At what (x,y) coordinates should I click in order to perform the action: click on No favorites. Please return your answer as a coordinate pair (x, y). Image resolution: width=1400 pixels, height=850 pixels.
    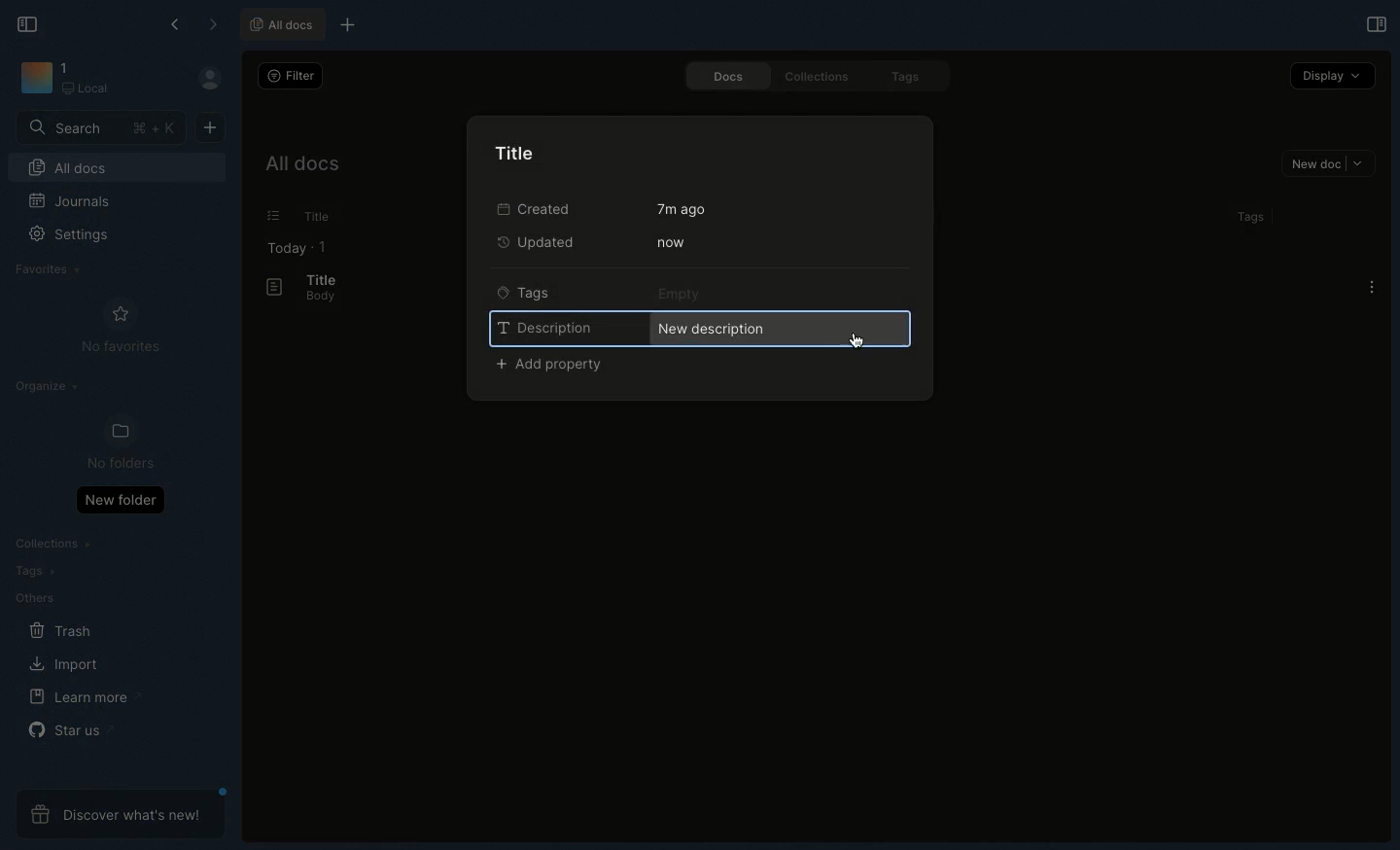
    Looking at the image, I should click on (121, 326).